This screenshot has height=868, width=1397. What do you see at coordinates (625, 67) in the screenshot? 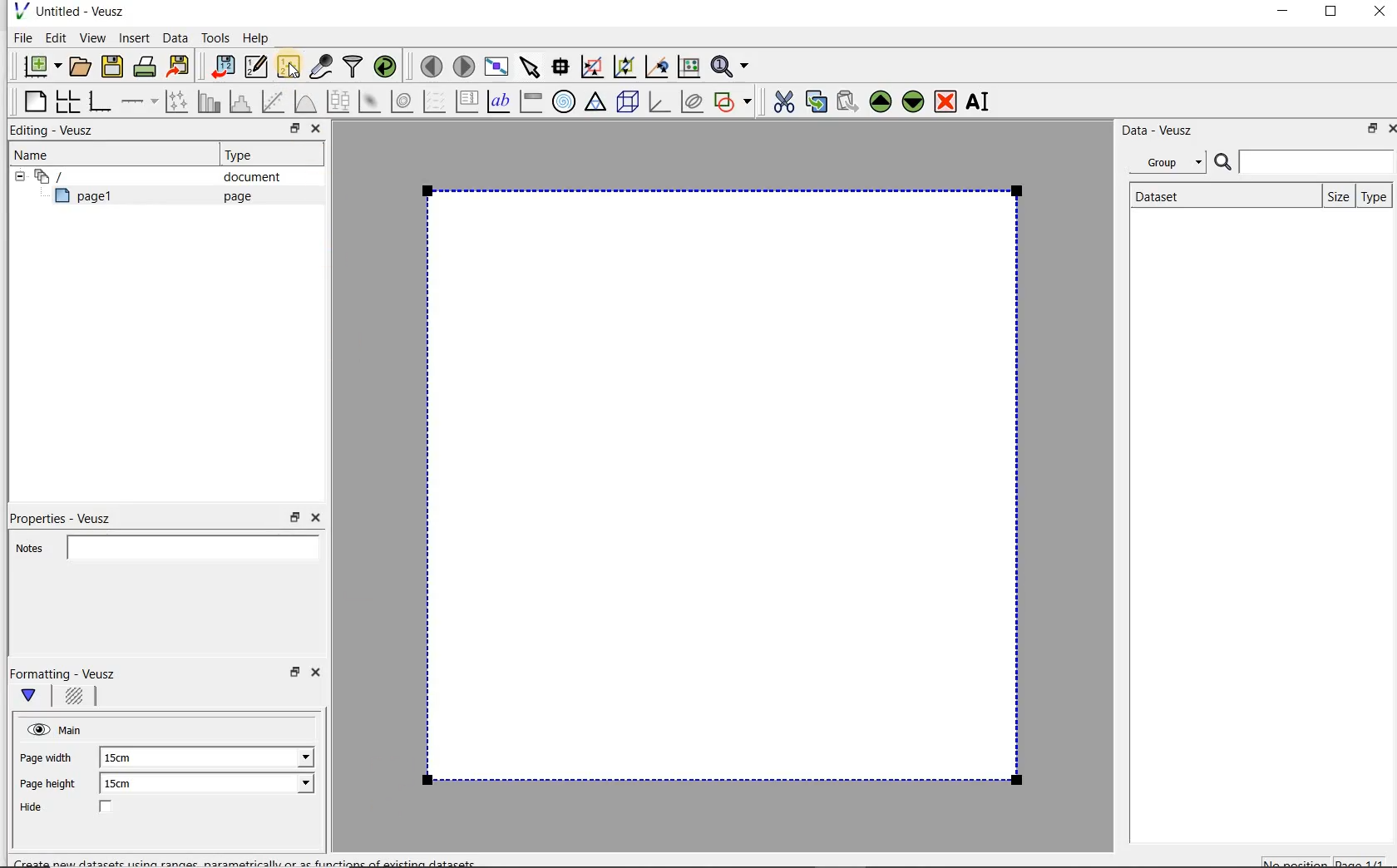
I see `click to zoom out of graph axes` at bounding box center [625, 67].